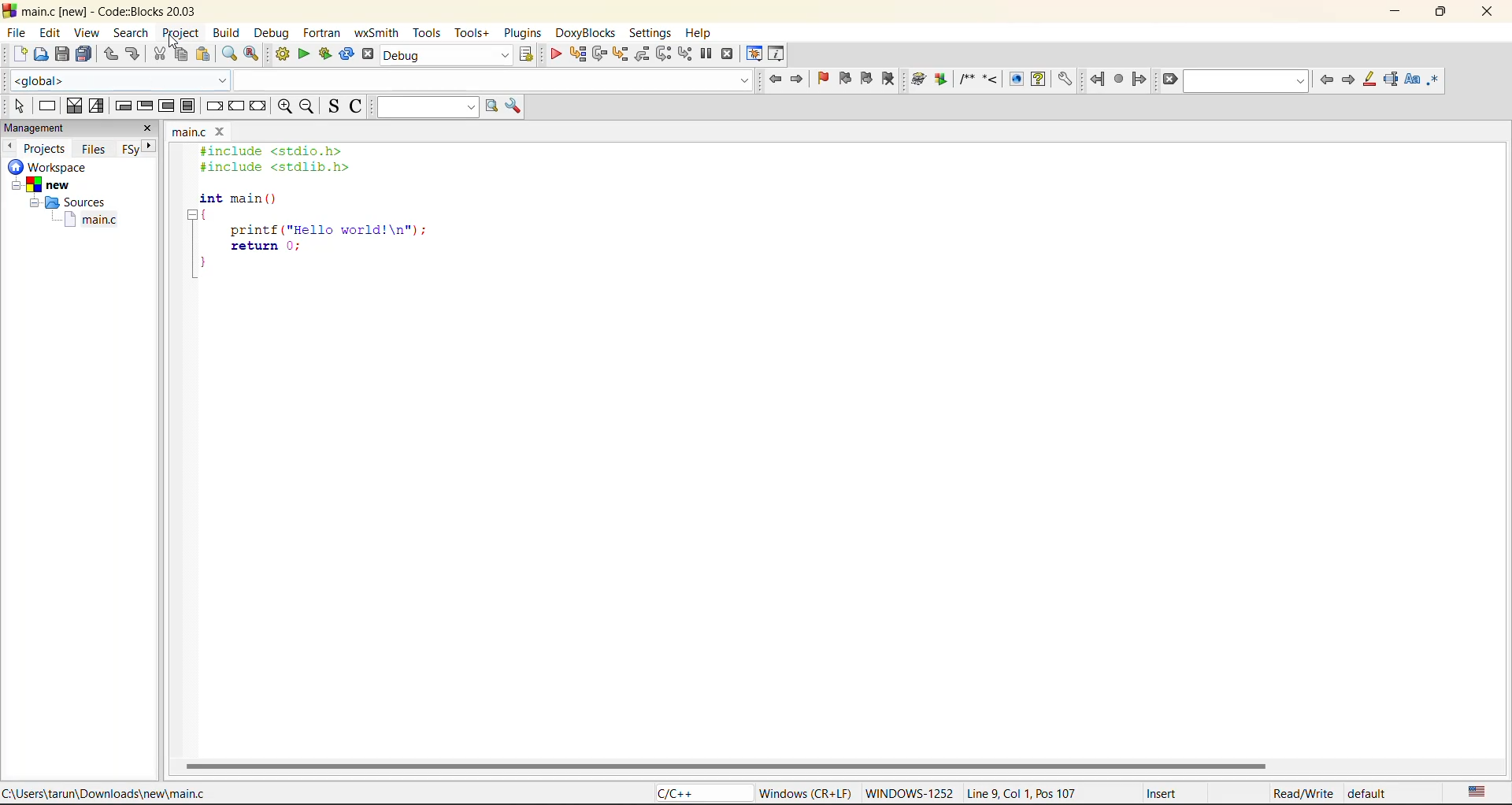  I want to click on minimize, so click(1393, 13).